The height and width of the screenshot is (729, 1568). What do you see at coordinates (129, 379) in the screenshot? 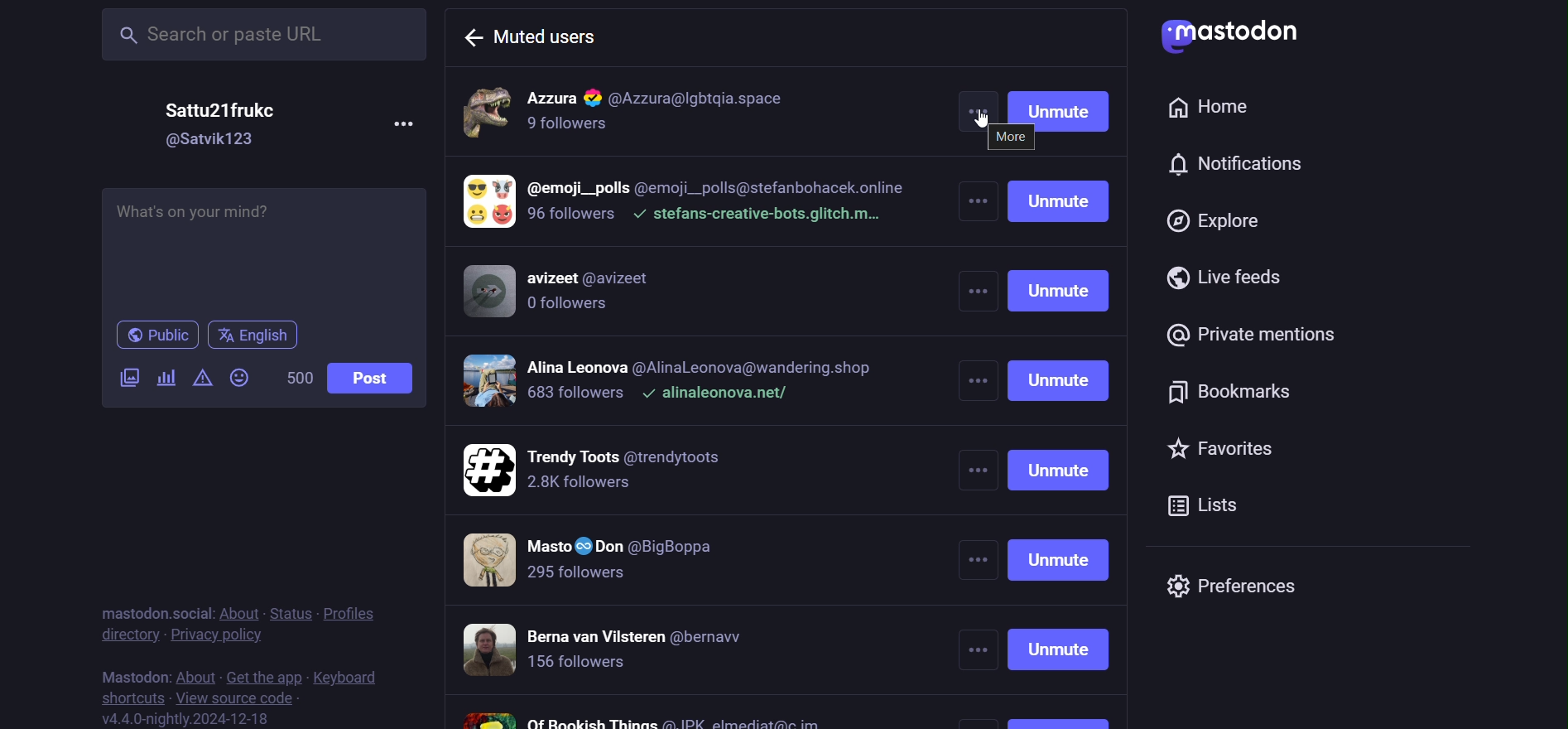
I see `video/image` at bounding box center [129, 379].